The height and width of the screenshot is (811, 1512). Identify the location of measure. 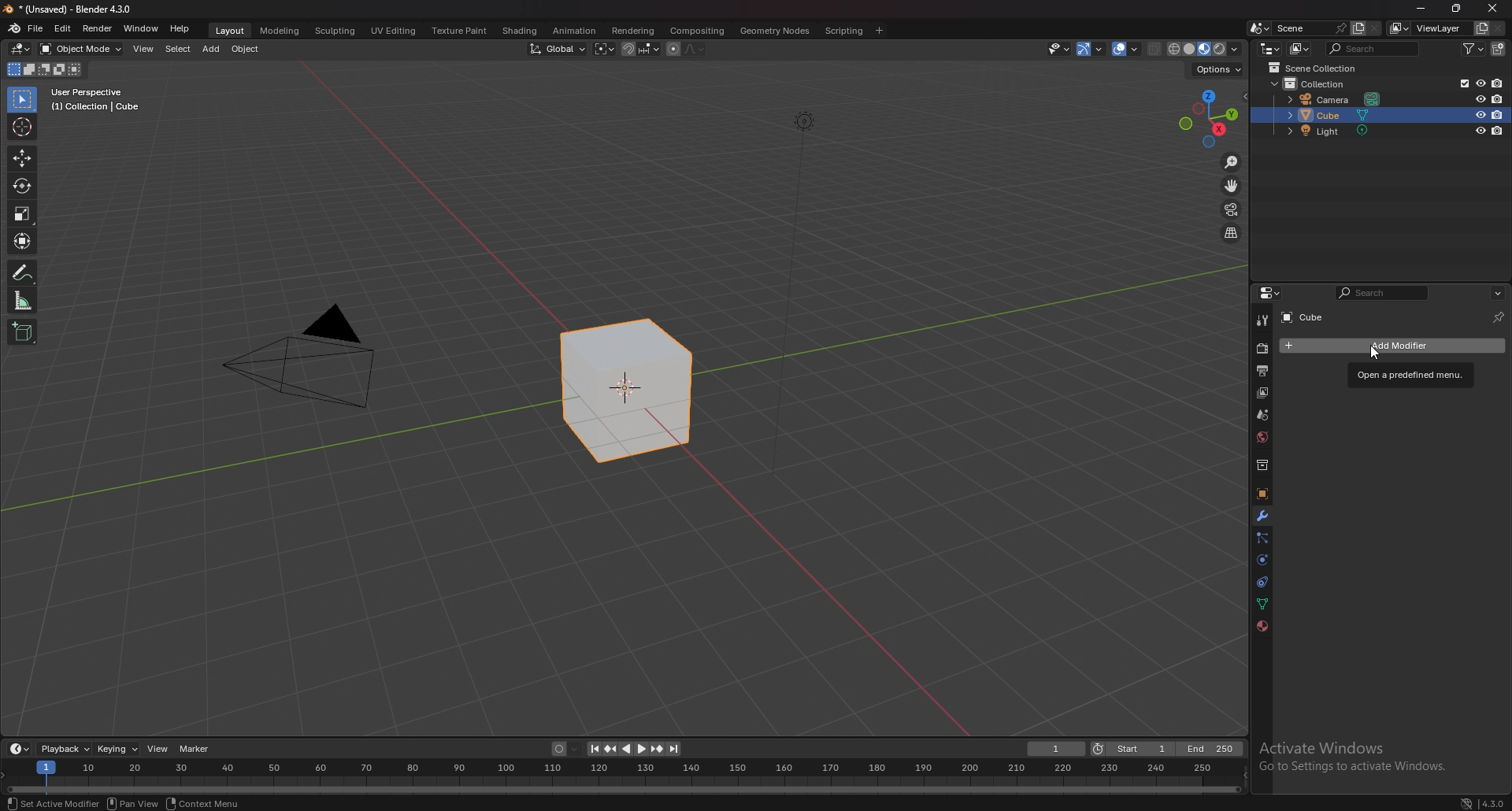
(24, 301).